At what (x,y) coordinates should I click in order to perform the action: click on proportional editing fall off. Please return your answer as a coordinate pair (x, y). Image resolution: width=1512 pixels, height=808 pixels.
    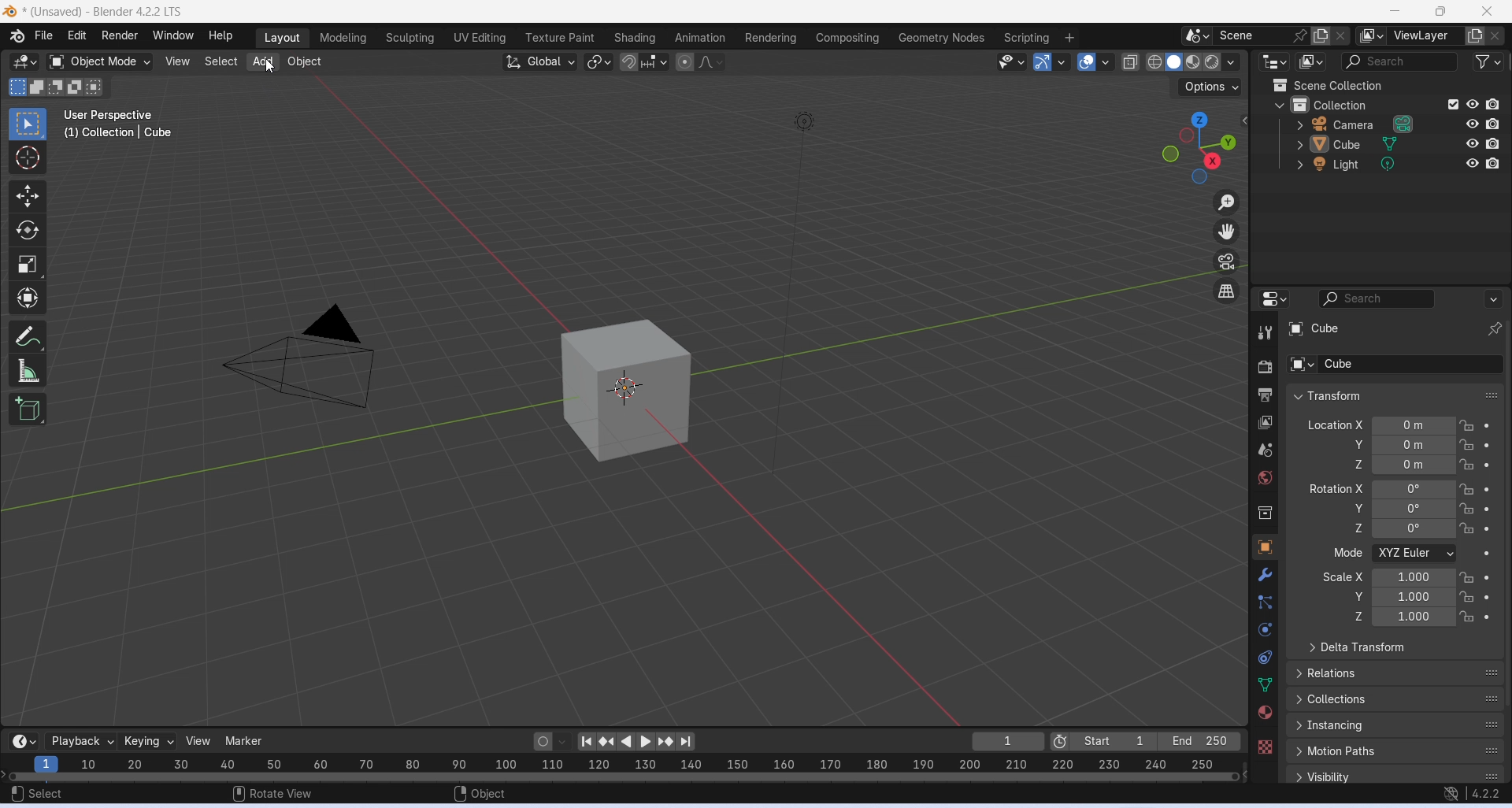
    Looking at the image, I should click on (712, 61).